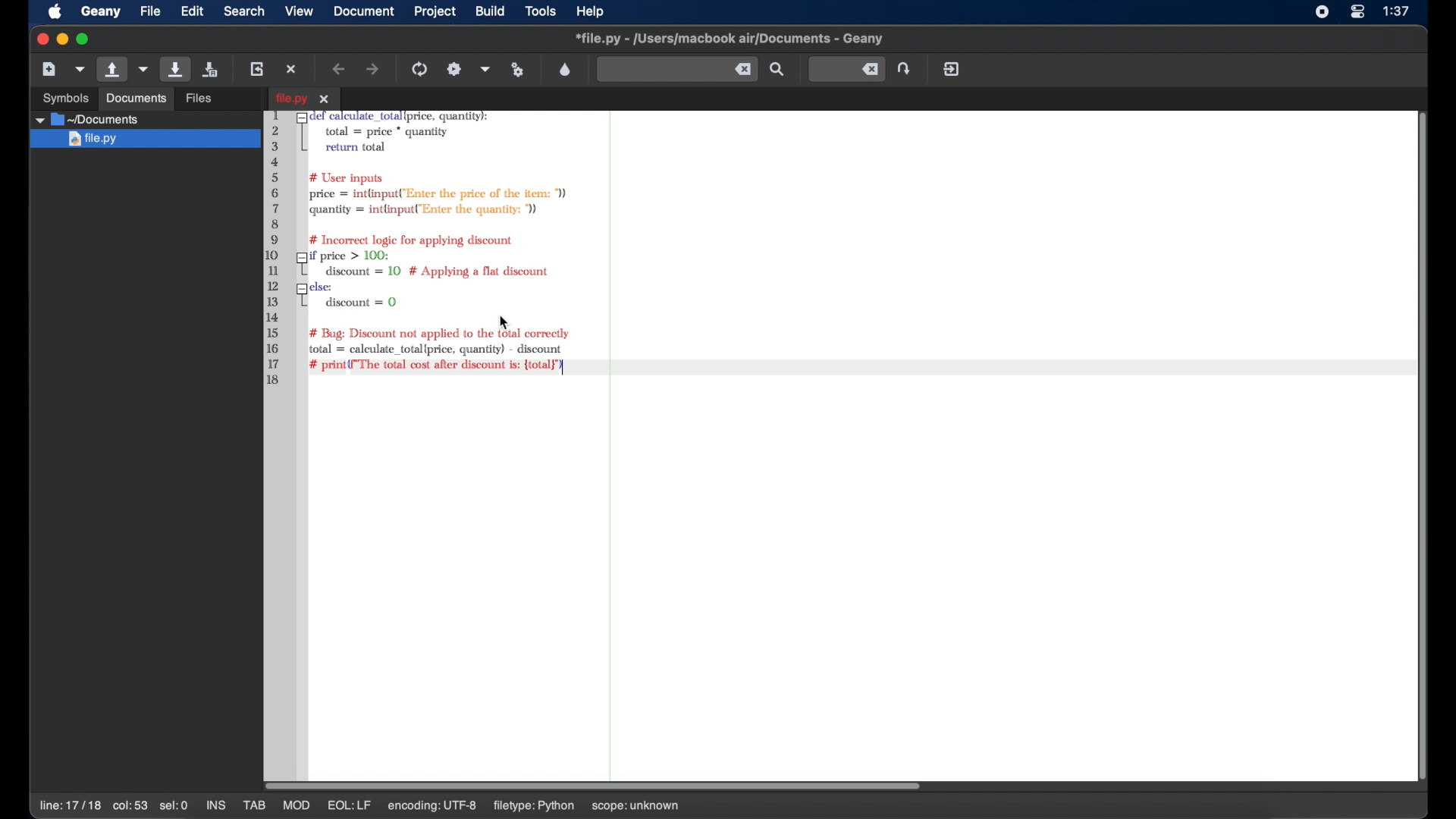  I want to click on screen recorder icons, so click(1321, 12).